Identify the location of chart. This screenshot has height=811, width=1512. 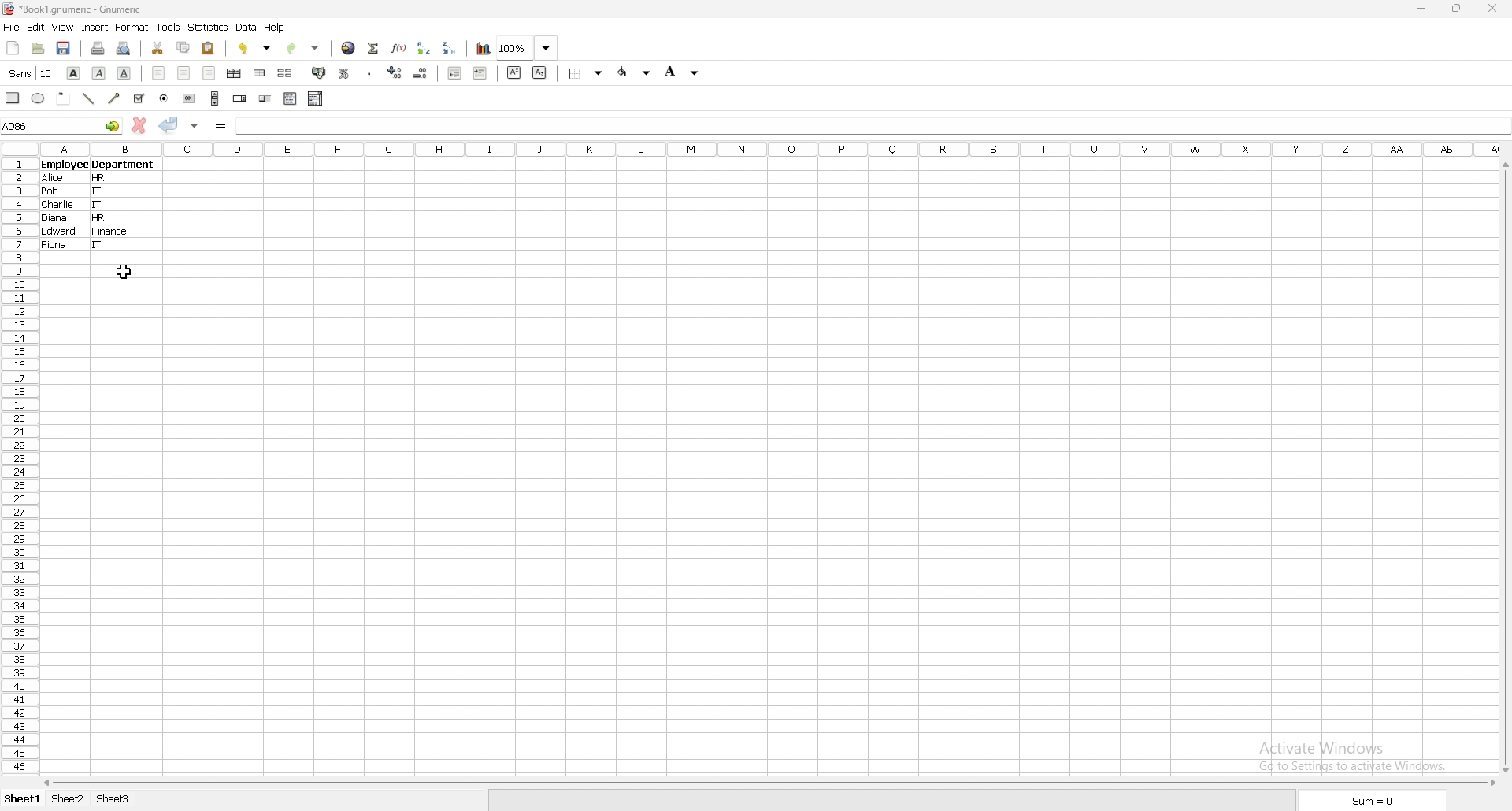
(484, 48).